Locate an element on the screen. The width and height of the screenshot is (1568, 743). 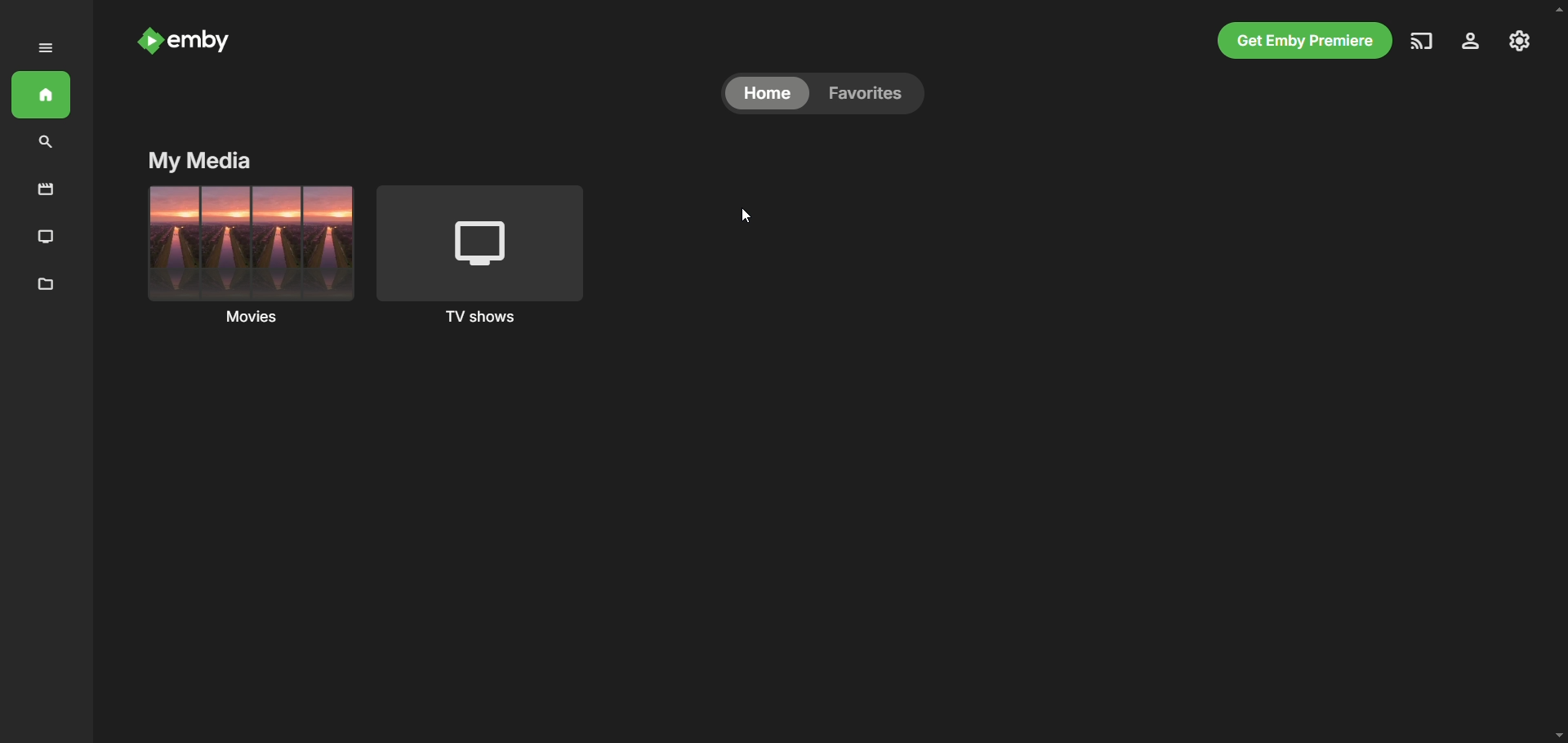
emby is located at coordinates (203, 46).